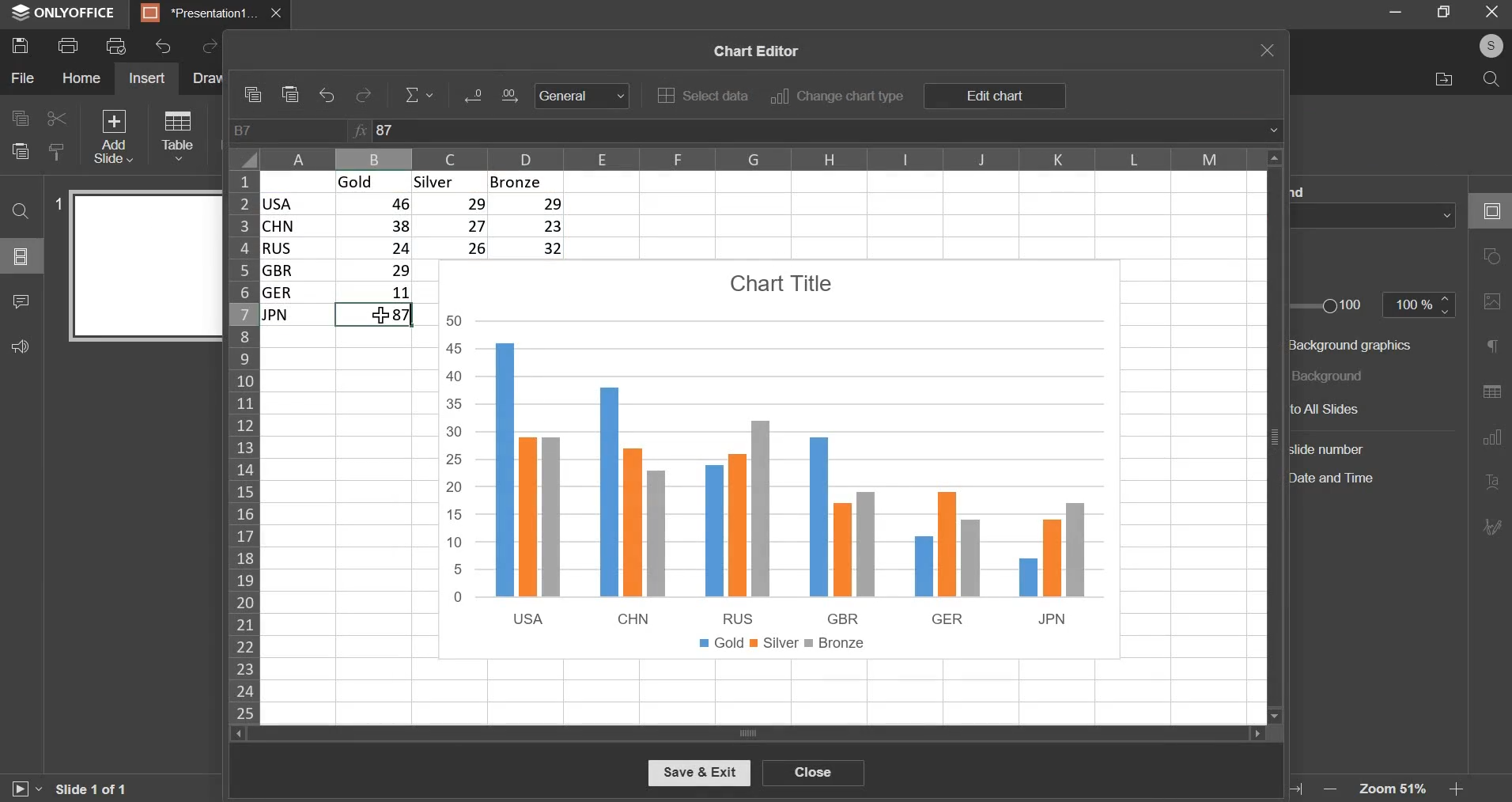  Describe the element at coordinates (1489, 208) in the screenshot. I see `slide settings` at that location.